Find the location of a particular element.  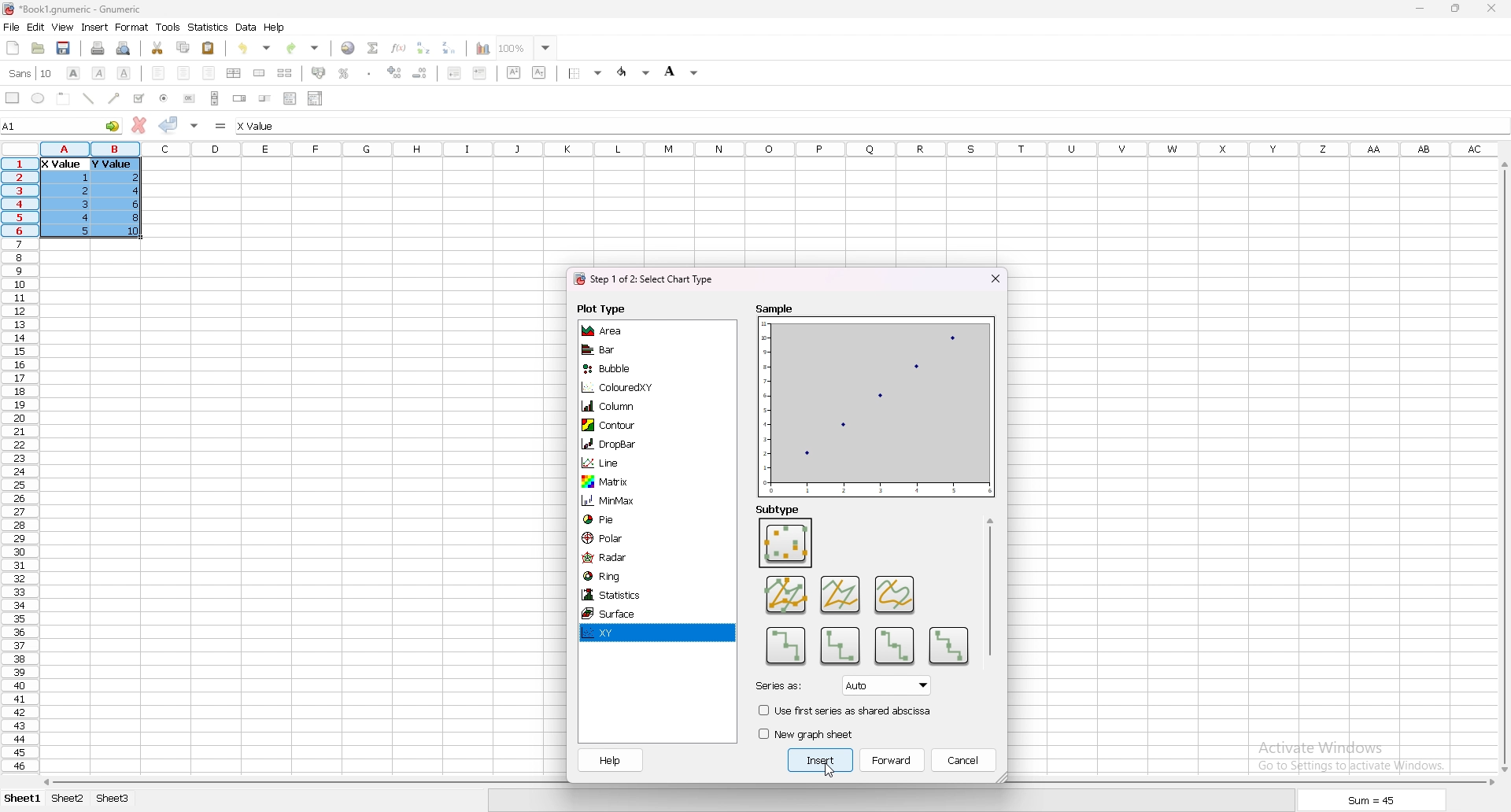

surface is located at coordinates (626, 615).